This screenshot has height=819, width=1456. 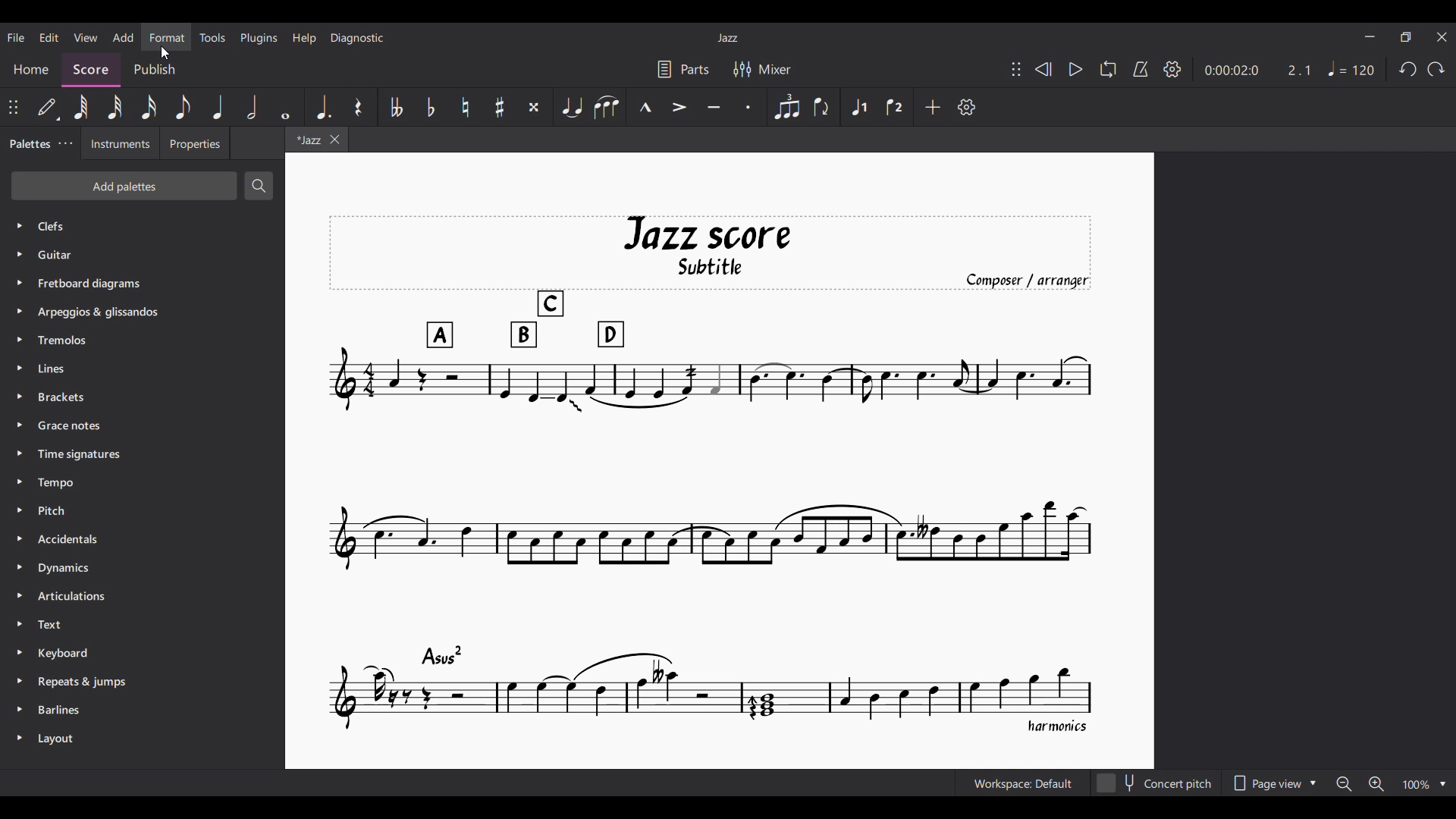 I want to click on Grace Notes, so click(x=71, y=426).